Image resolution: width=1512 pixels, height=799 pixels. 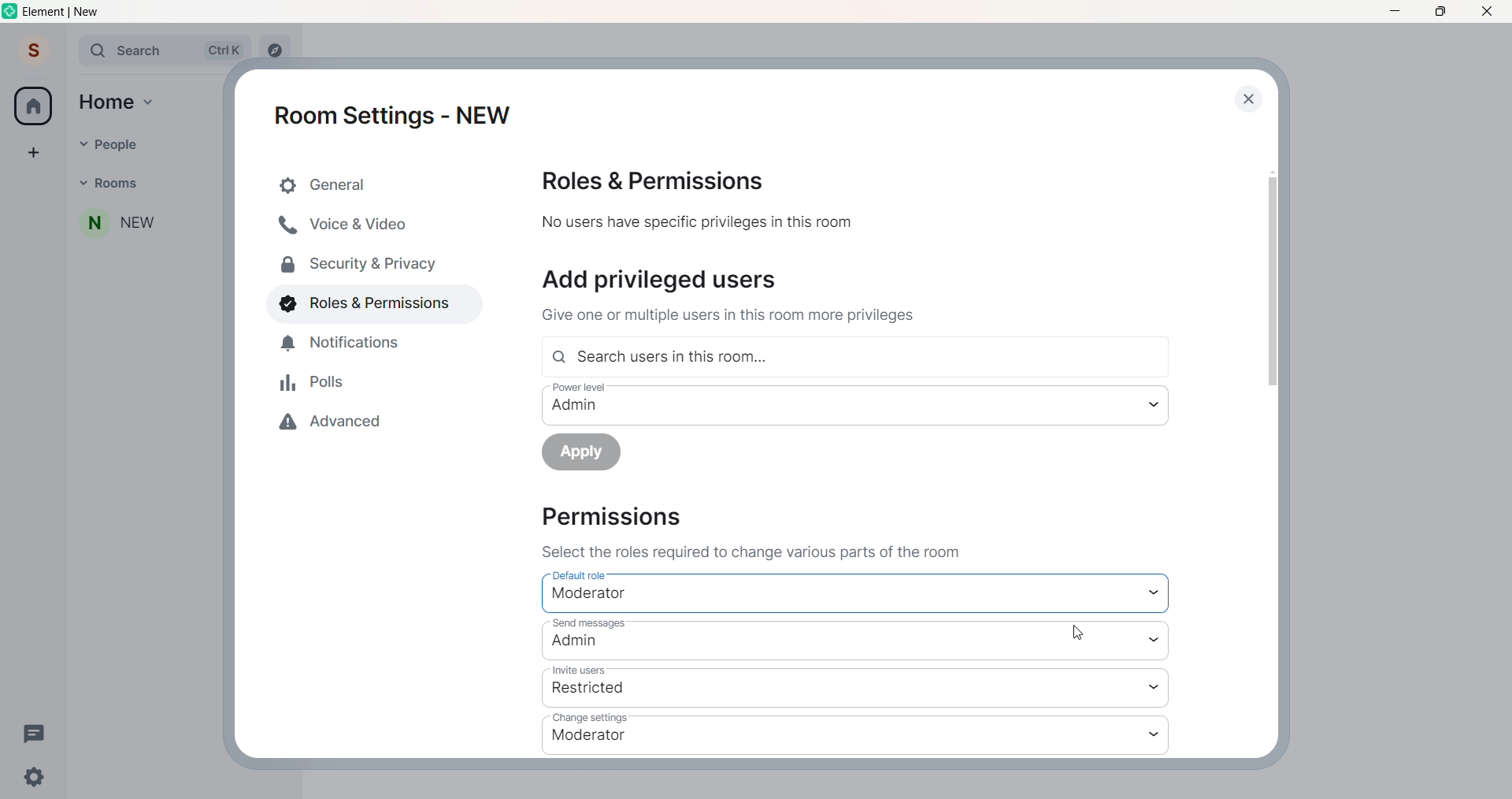 What do you see at coordinates (156, 49) in the screenshot?
I see `search` at bounding box center [156, 49].